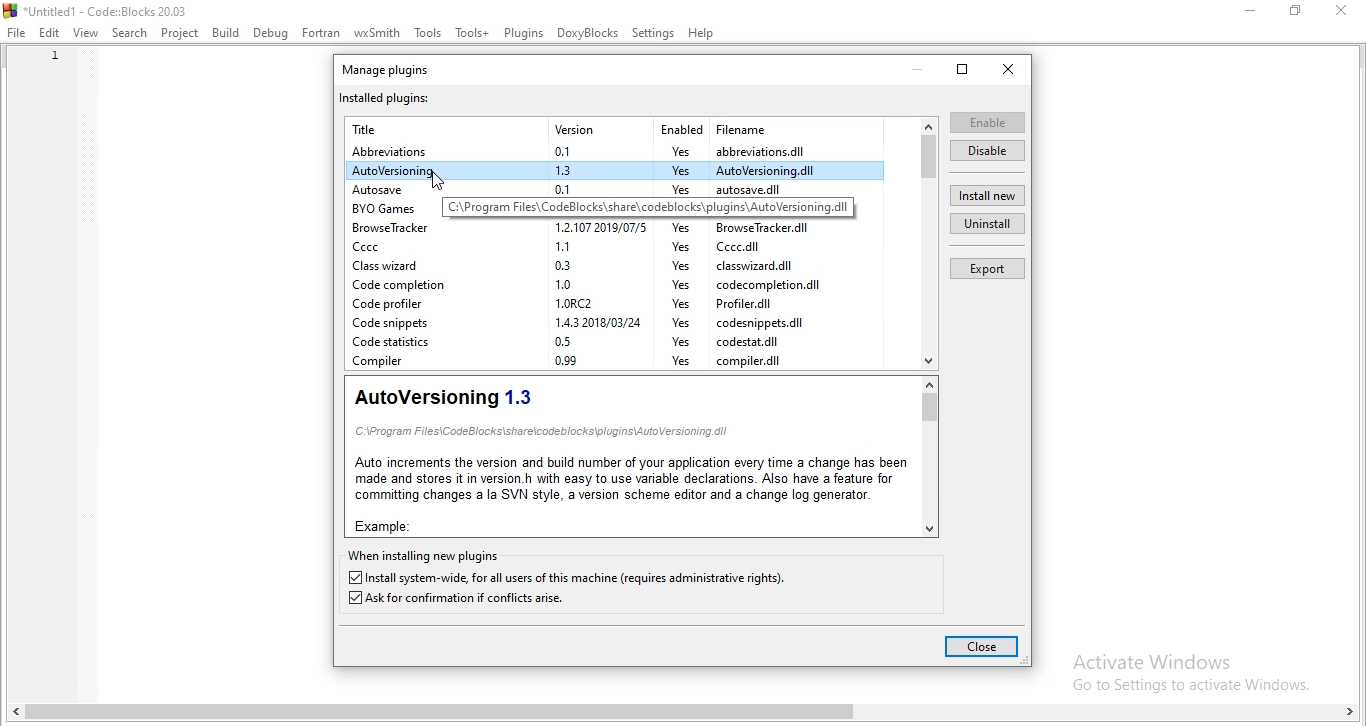 The image size is (1366, 726). I want to click on scroll bar, so click(687, 715).